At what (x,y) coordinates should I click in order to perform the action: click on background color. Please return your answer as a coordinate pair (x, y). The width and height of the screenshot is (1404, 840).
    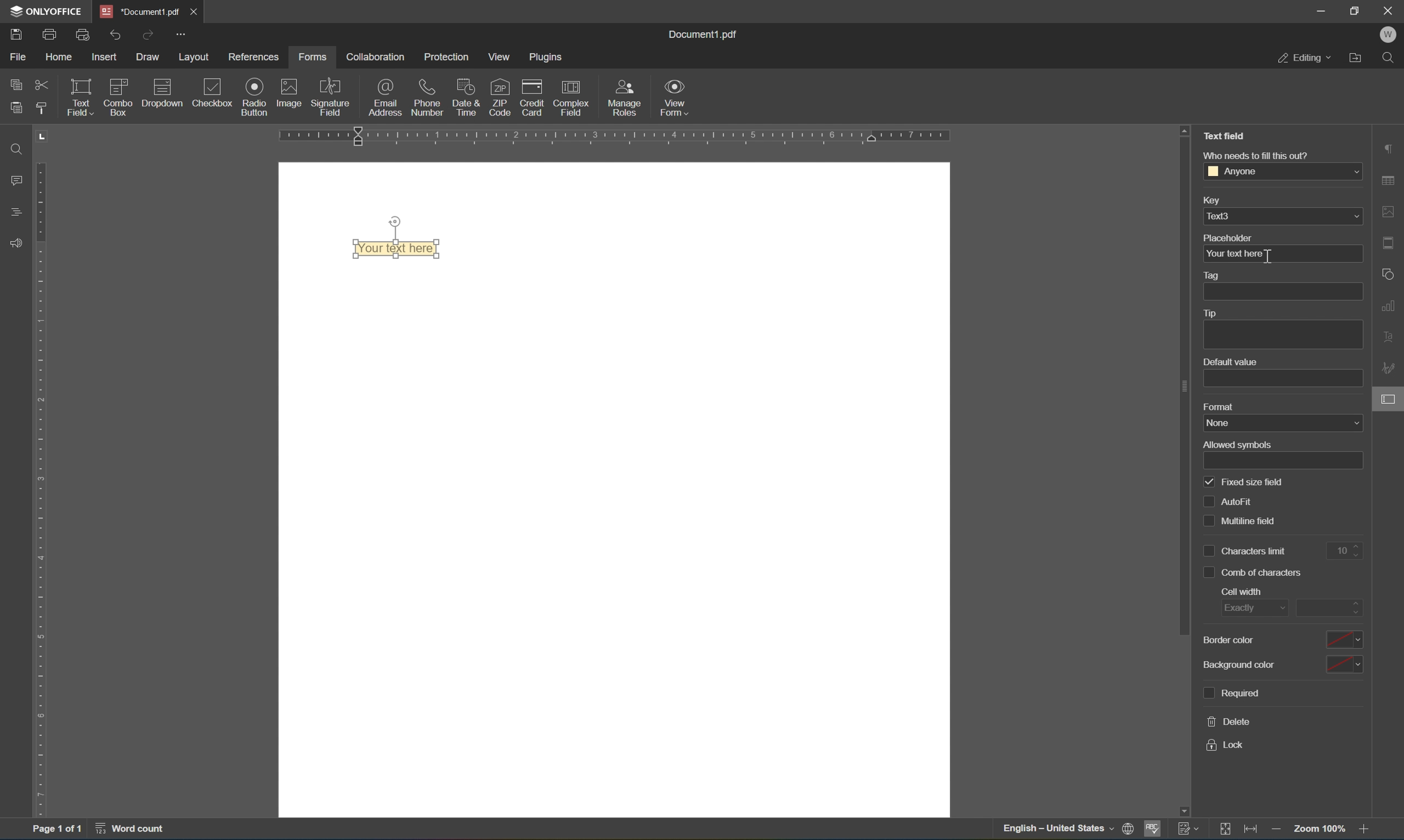
    Looking at the image, I should click on (1284, 663).